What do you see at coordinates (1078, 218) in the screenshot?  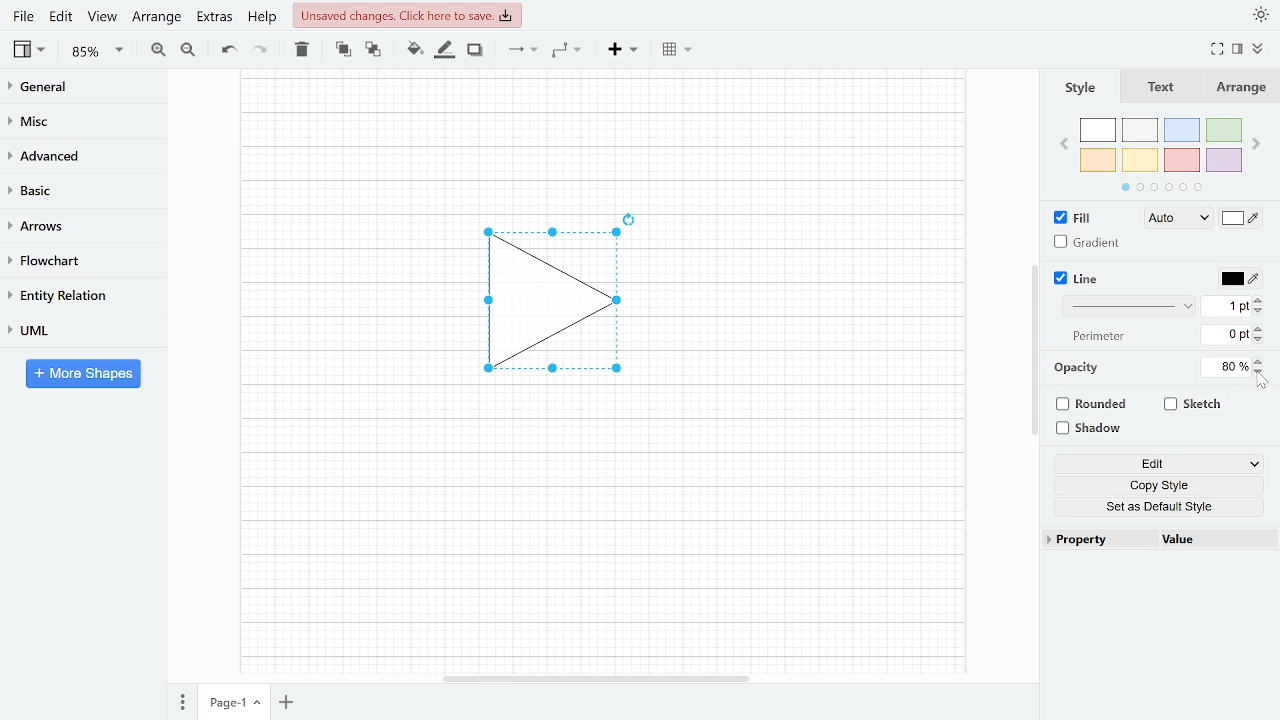 I see `Fill` at bounding box center [1078, 218].